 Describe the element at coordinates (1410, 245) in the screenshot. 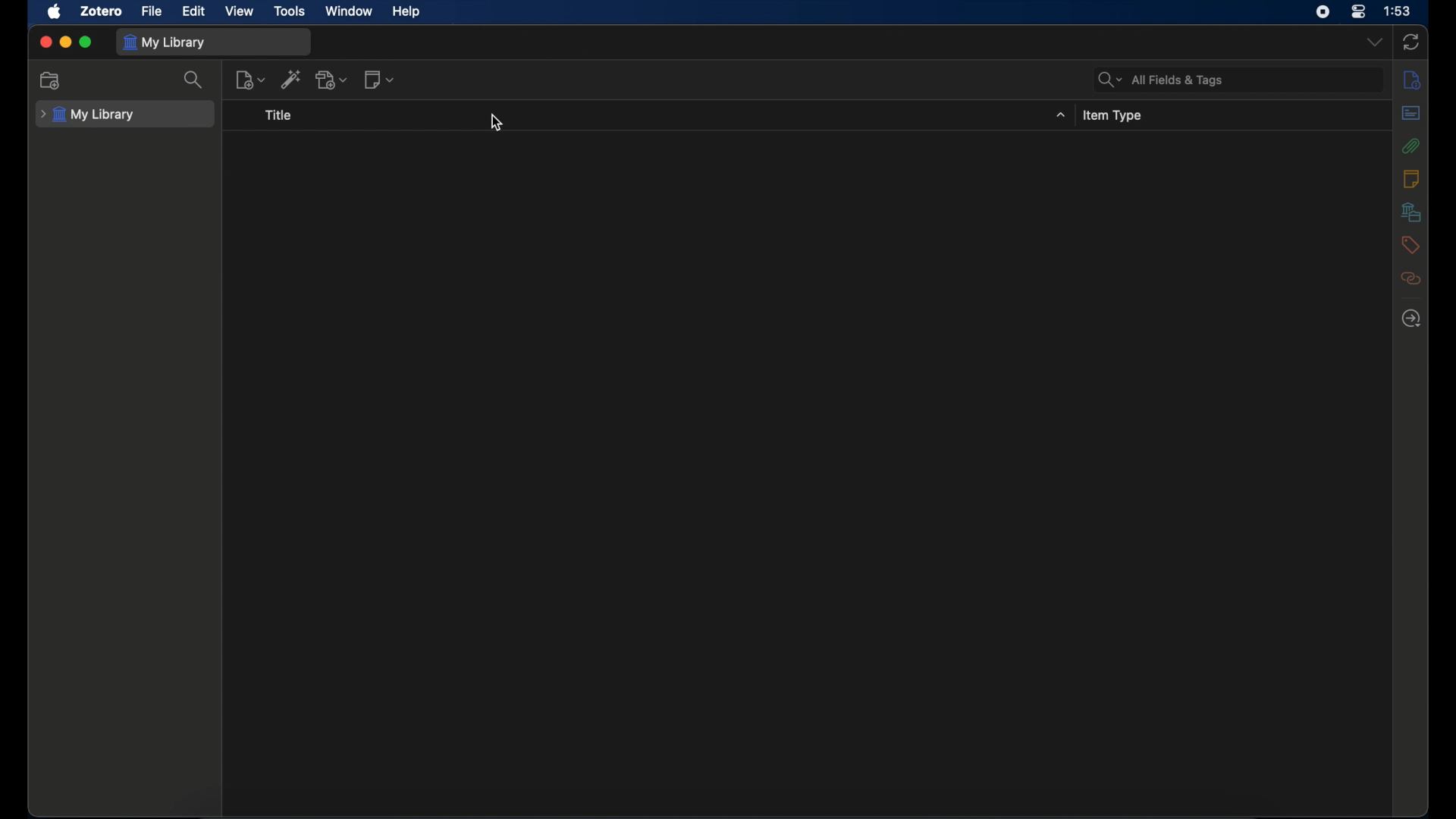

I see `tags` at that location.